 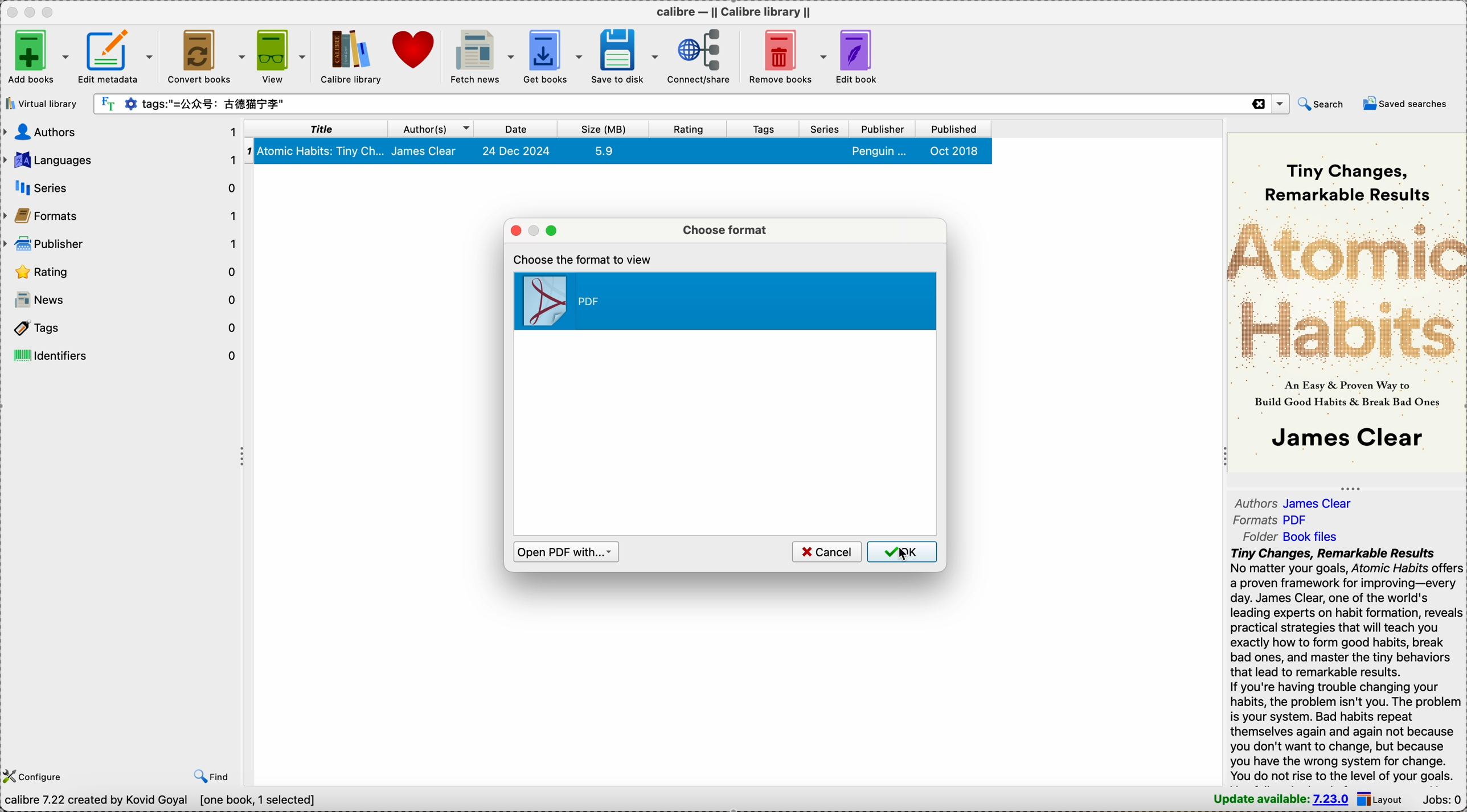 I want to click on tags, so click(x=121, y=330).